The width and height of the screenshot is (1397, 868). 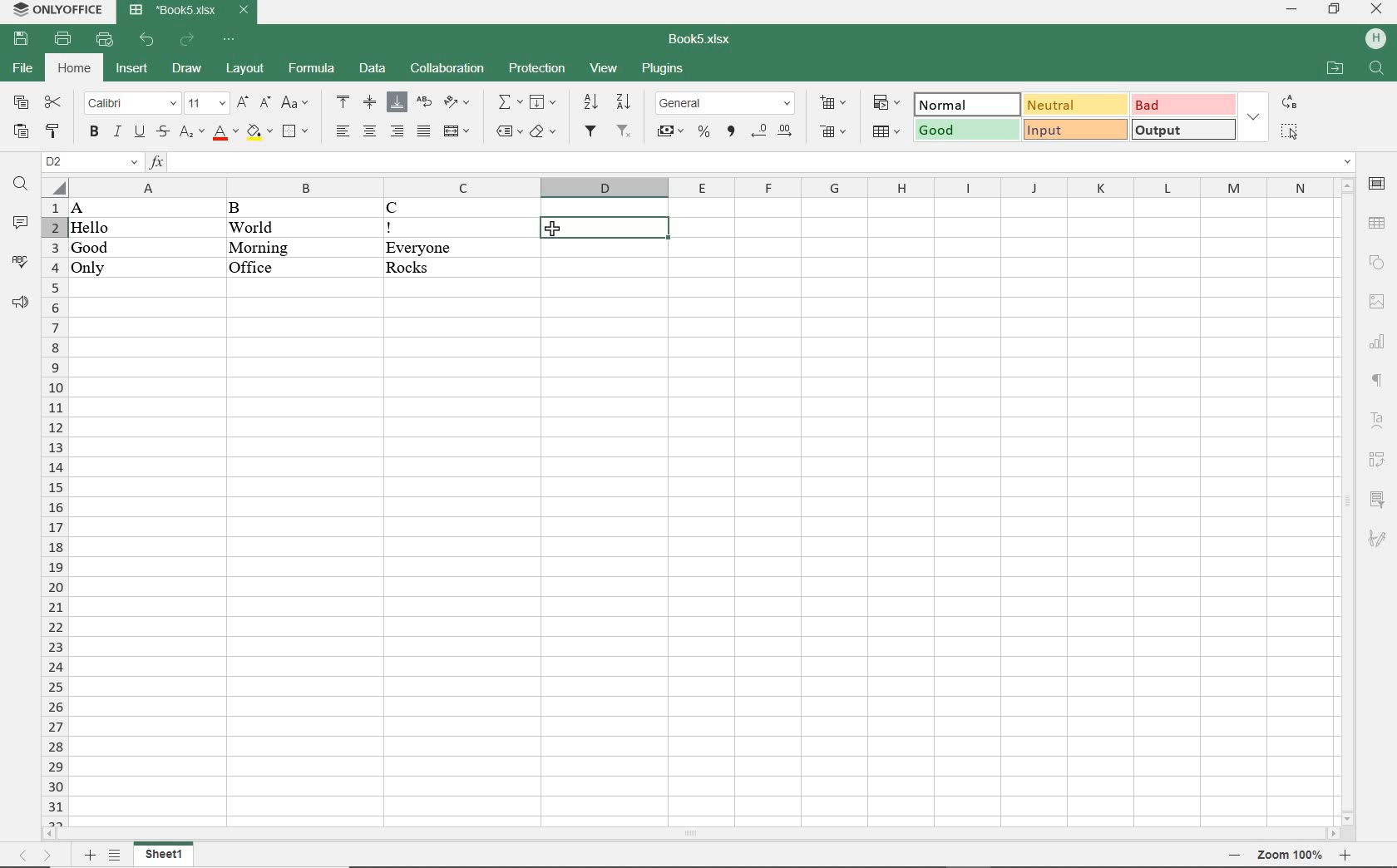 What do you see at coordinates (833, 104) in the screenshot?
I see `insert cells` at bounding box center [833, 104].